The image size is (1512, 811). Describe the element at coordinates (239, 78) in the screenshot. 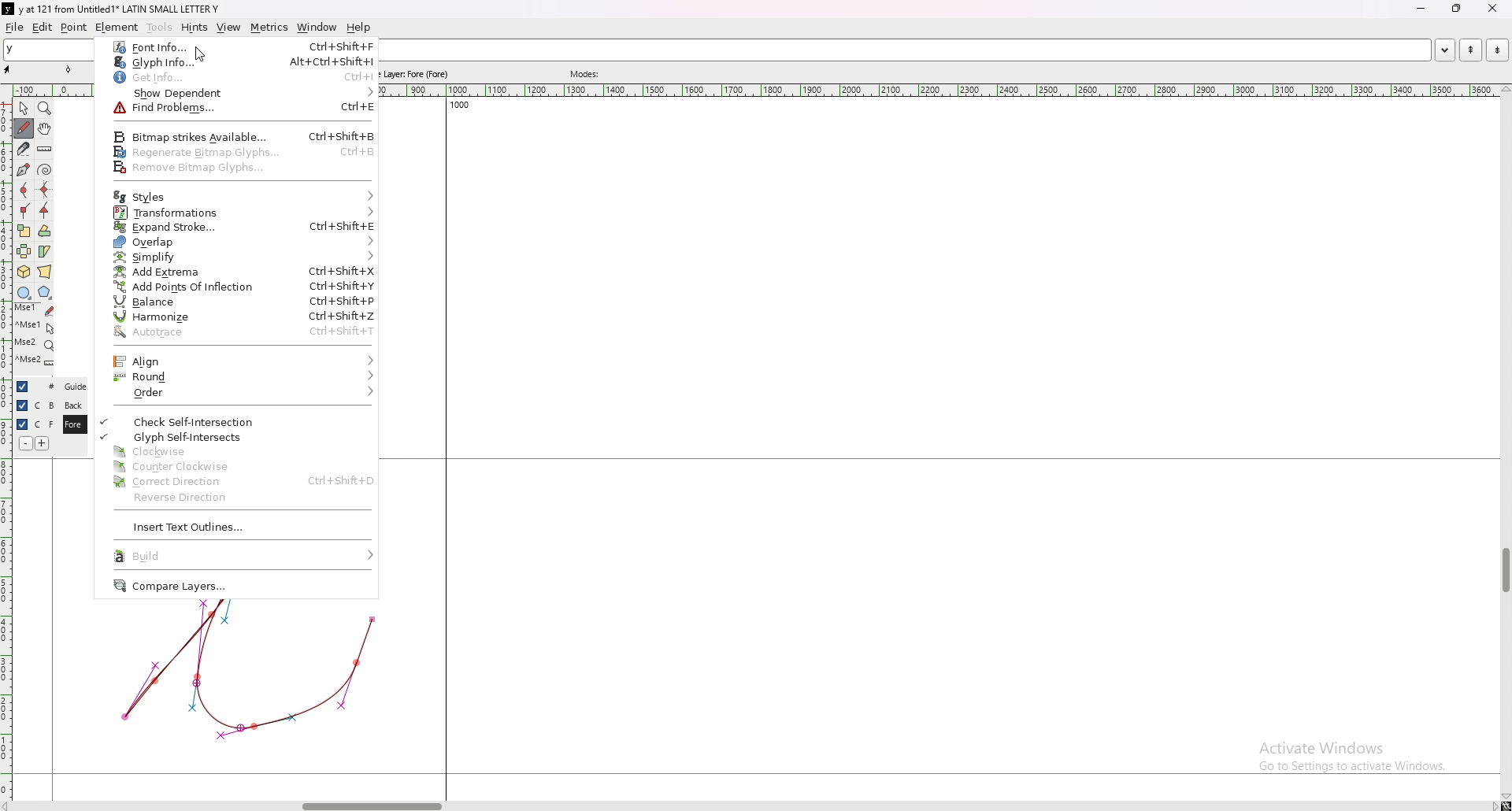

I see `get info` at that location.